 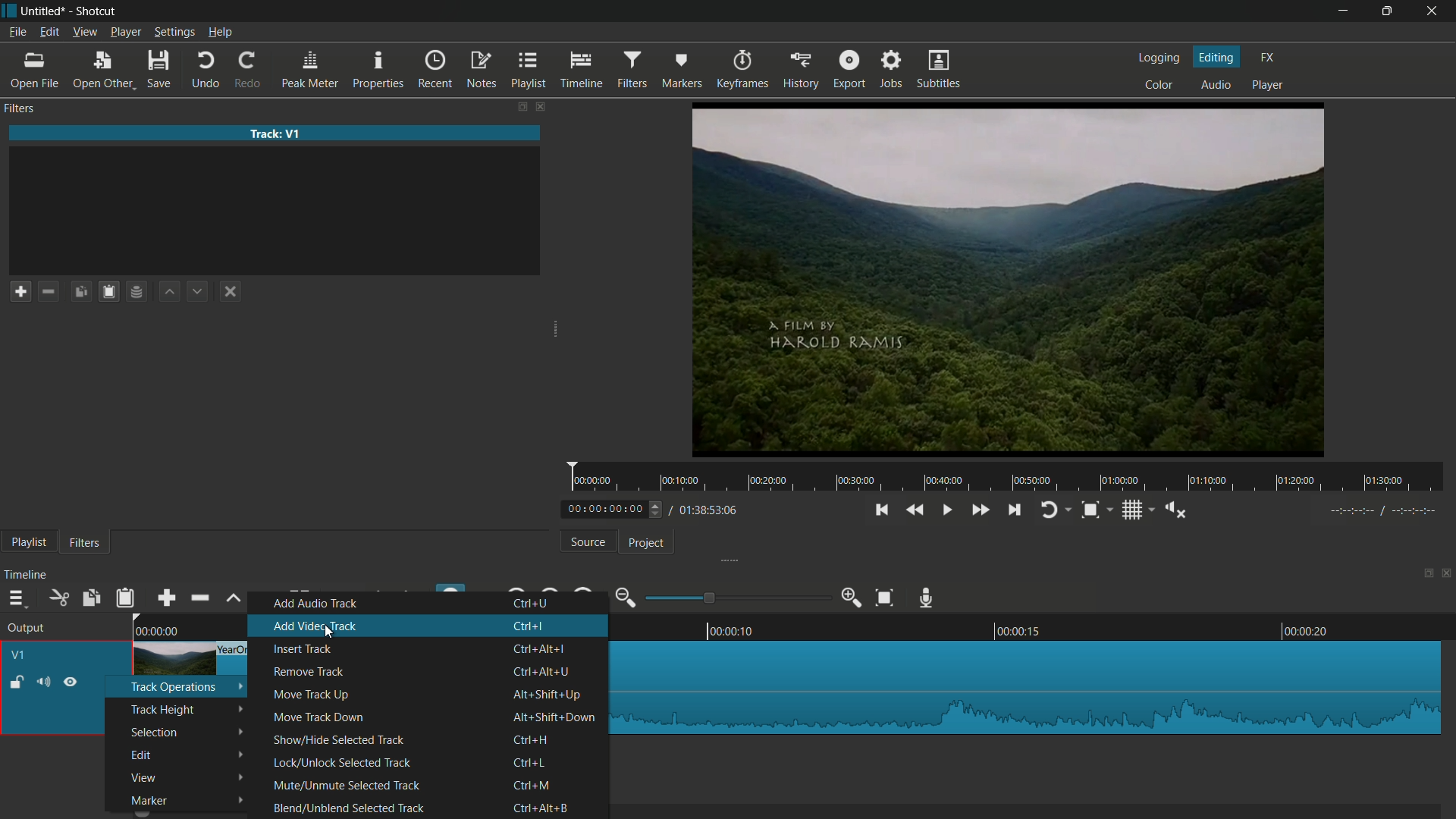 I want to click on key shortcut, so click(x=545, y=670).